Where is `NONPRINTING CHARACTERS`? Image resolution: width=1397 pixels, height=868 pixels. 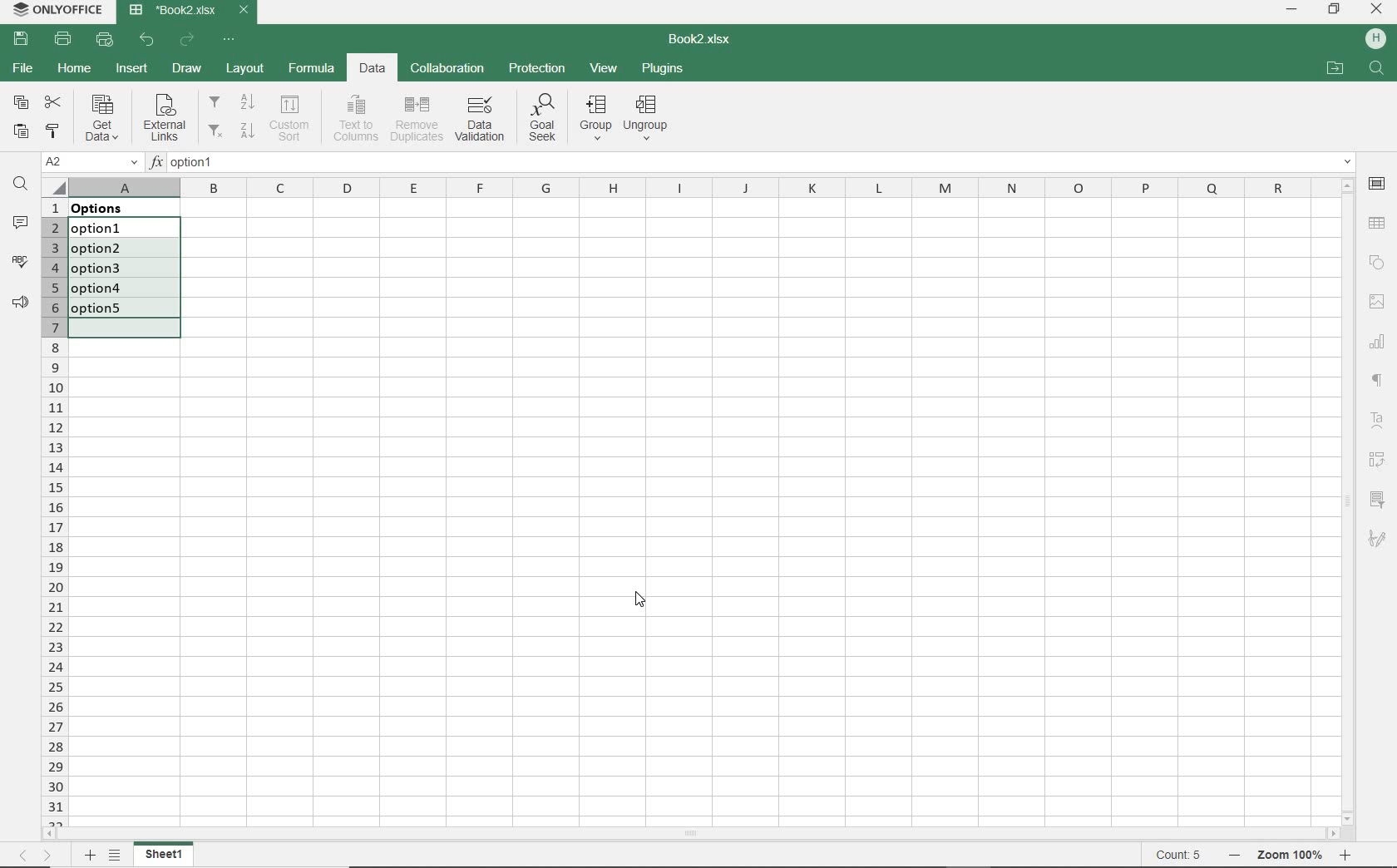 NONPRINTING CHARACTERS is located at coordinates (1380, 382).